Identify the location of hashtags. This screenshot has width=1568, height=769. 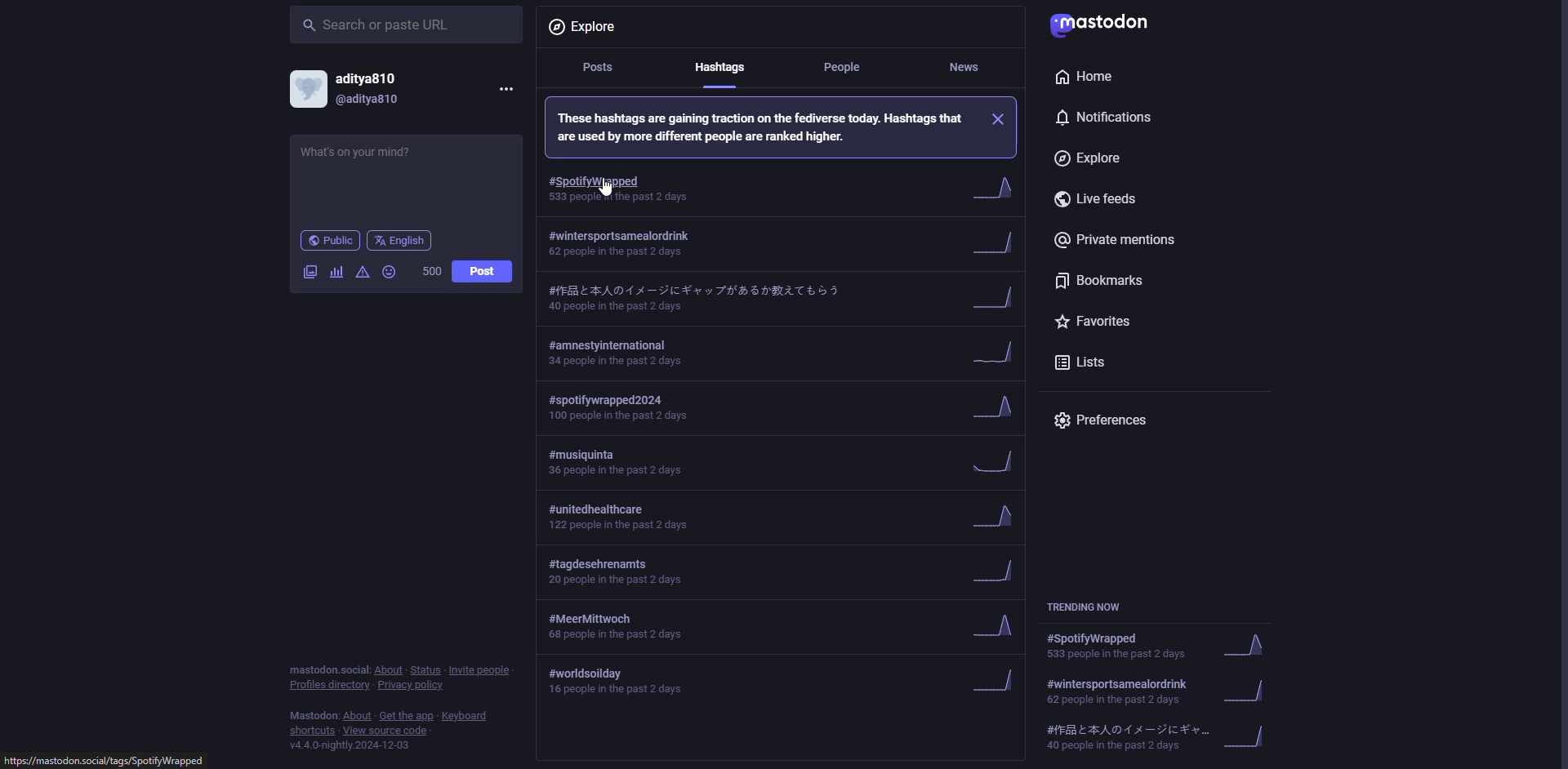
(716, 67).